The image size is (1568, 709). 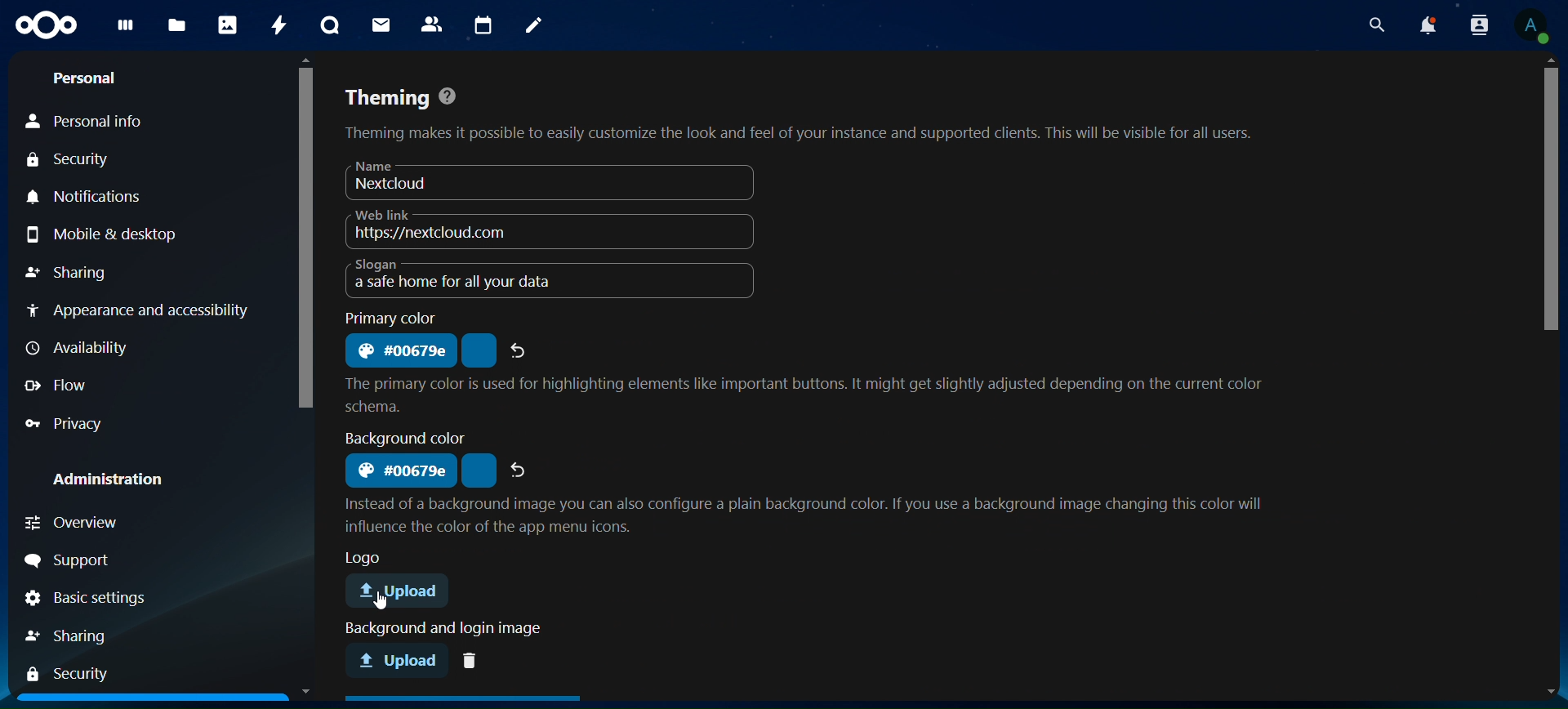 What do you see at coordinates (96, 119) in the screenshot?
I see `personal info` at bounding box center [96, 119].